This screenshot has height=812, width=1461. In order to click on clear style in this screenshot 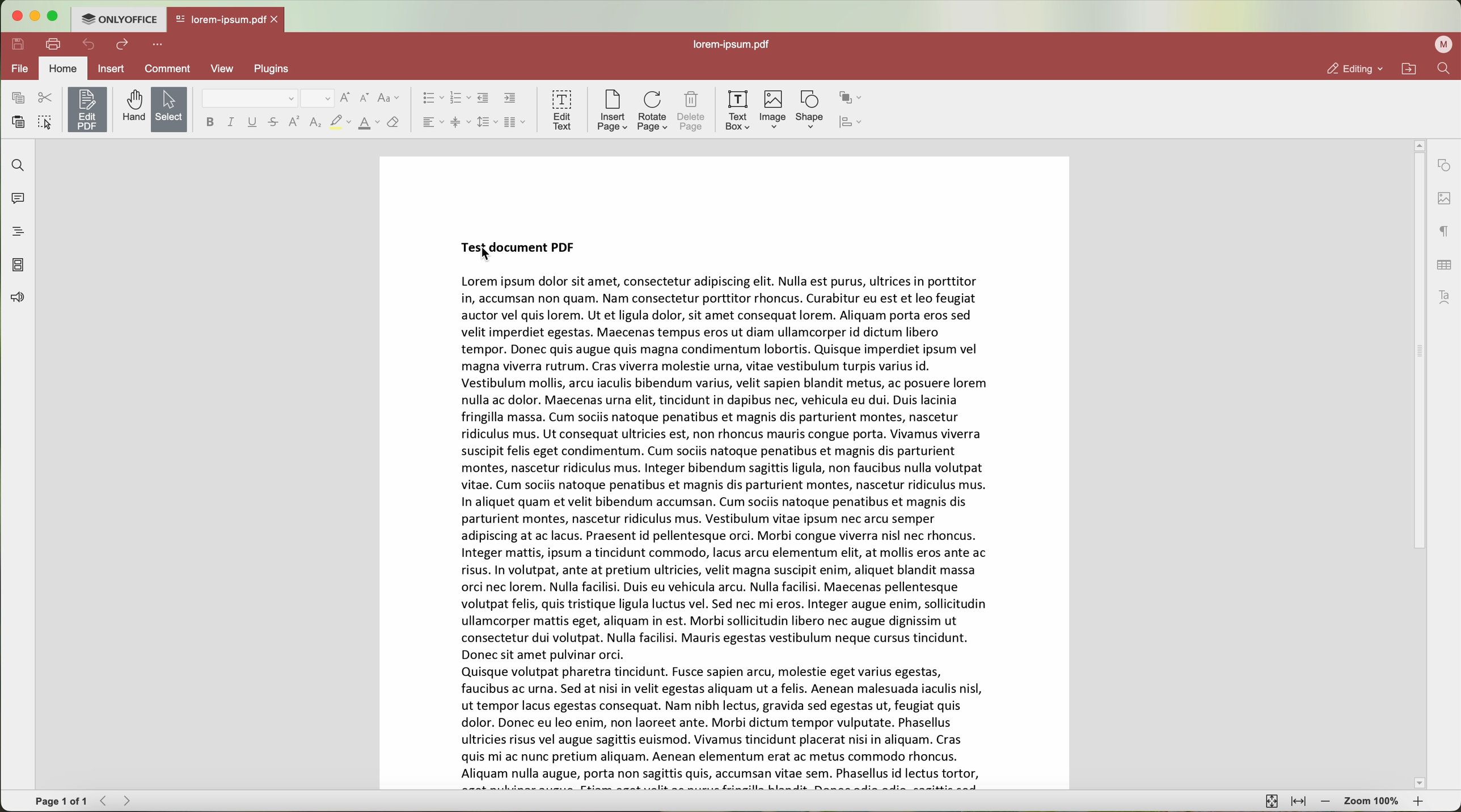, I will do `click(395, 122)`.